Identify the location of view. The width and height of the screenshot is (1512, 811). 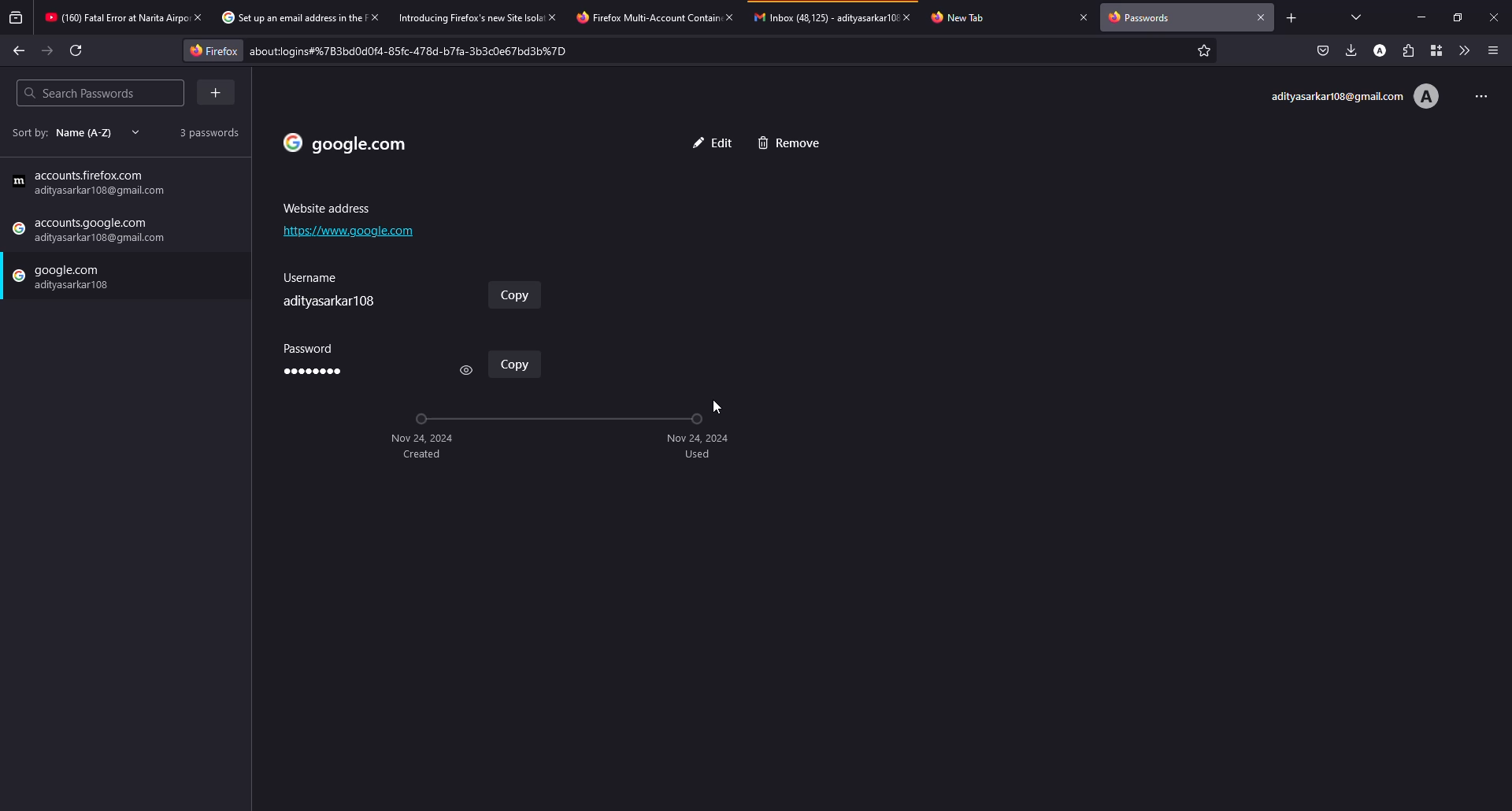
(465, 368).